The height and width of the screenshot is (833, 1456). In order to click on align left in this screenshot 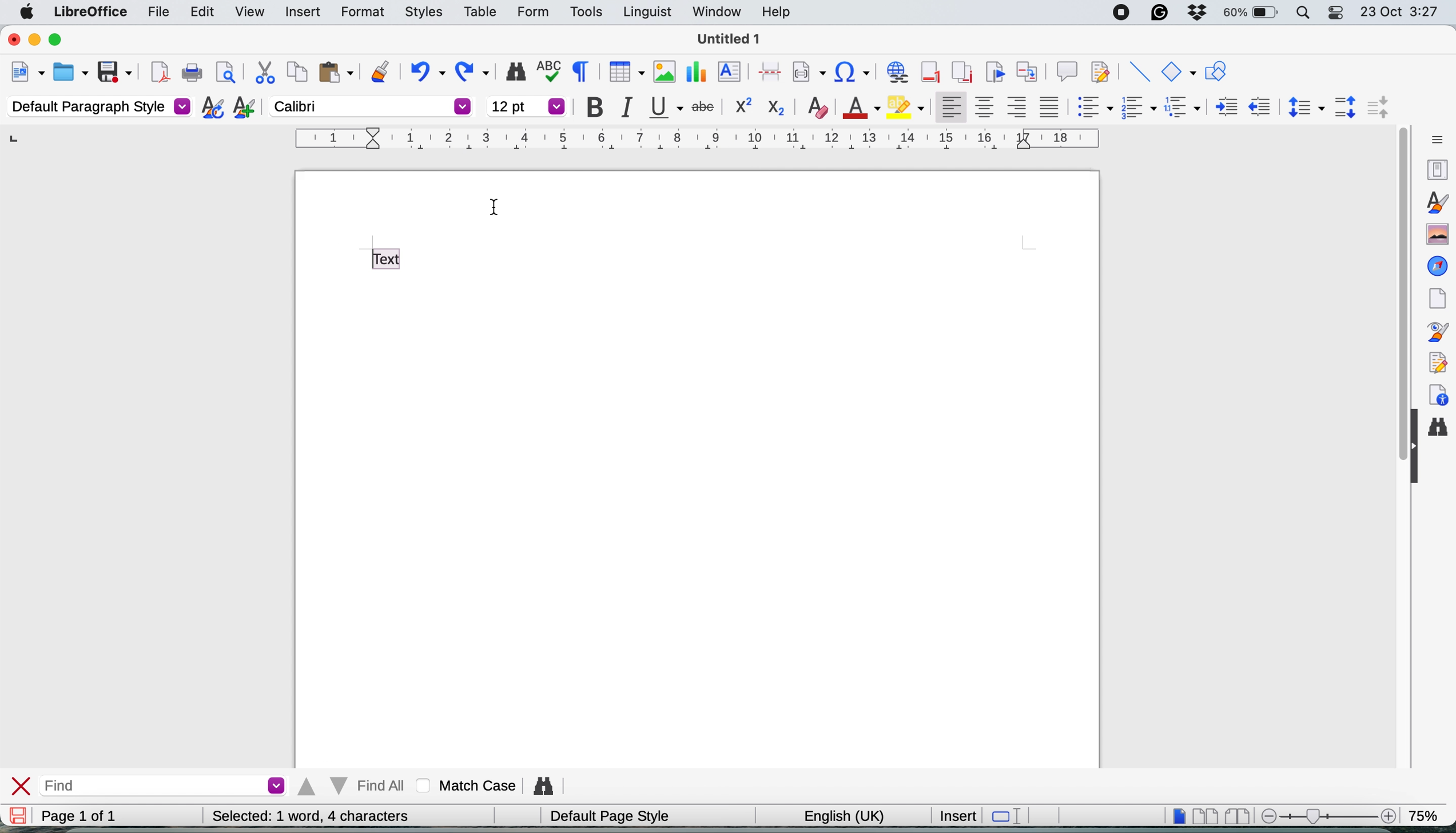, I will do `click(948, 108)`.